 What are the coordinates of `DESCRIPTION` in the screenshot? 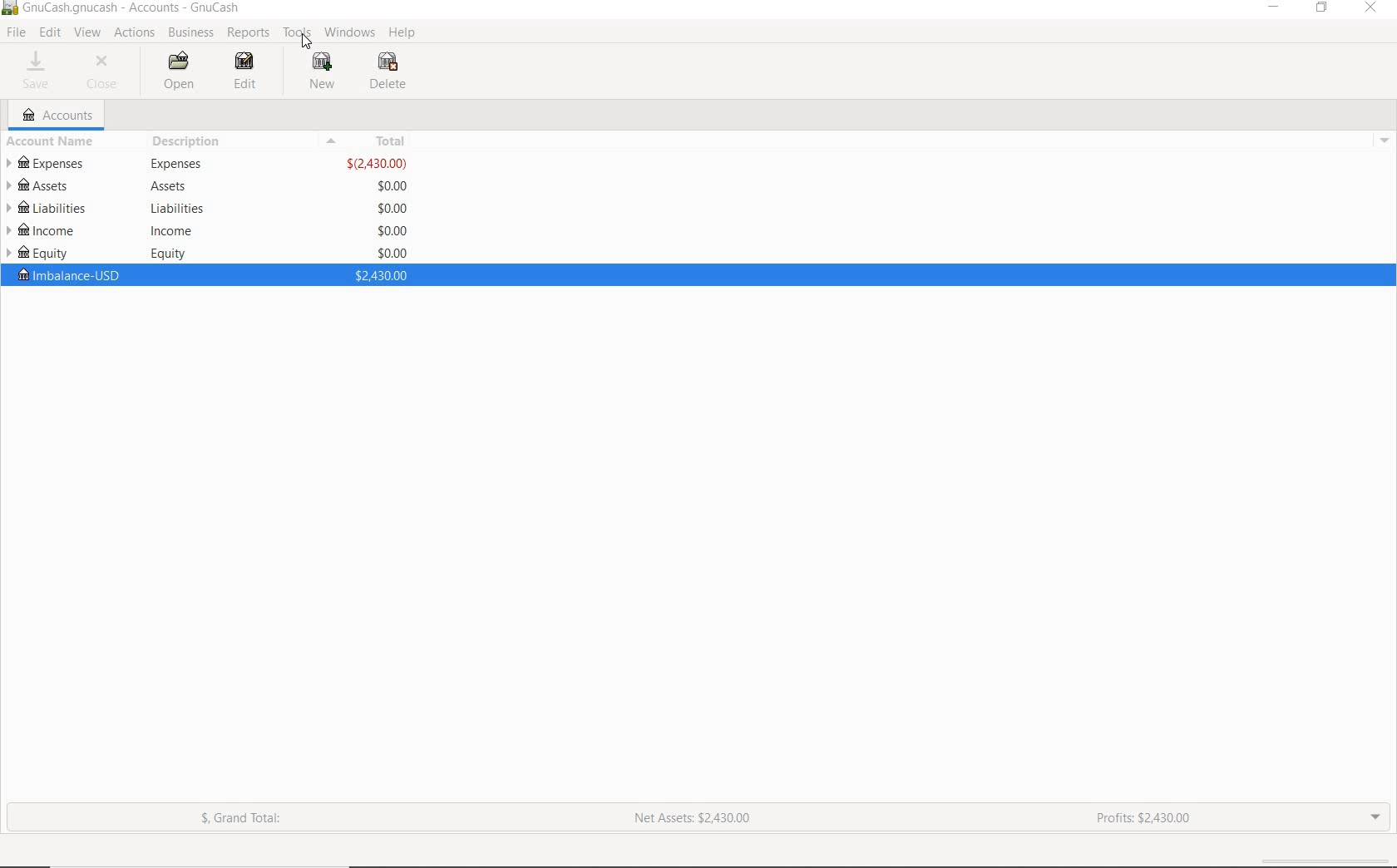 It's located at (188, 142).